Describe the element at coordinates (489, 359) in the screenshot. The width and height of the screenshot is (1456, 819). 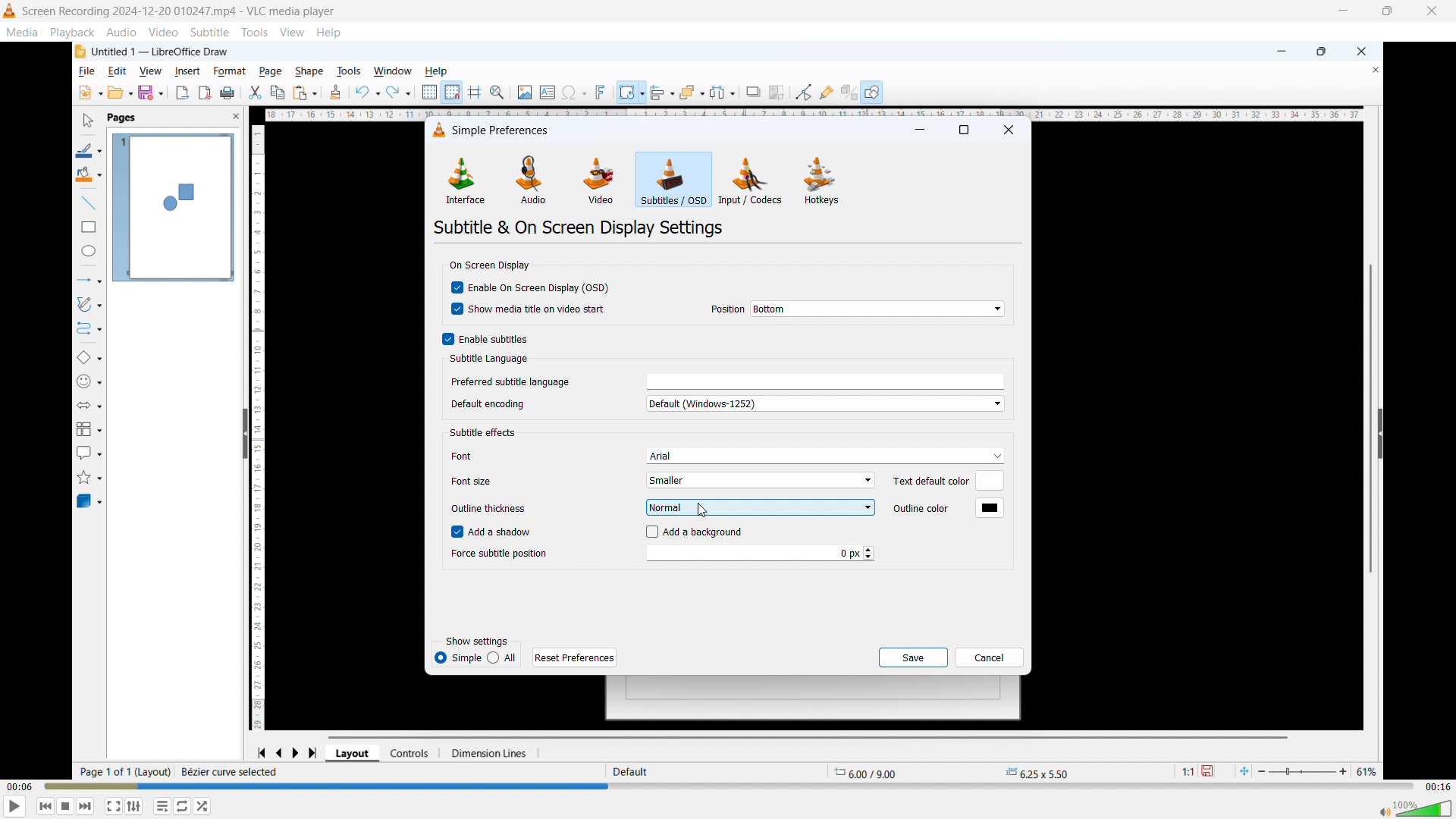
I see `Subtitle language ` at that location.